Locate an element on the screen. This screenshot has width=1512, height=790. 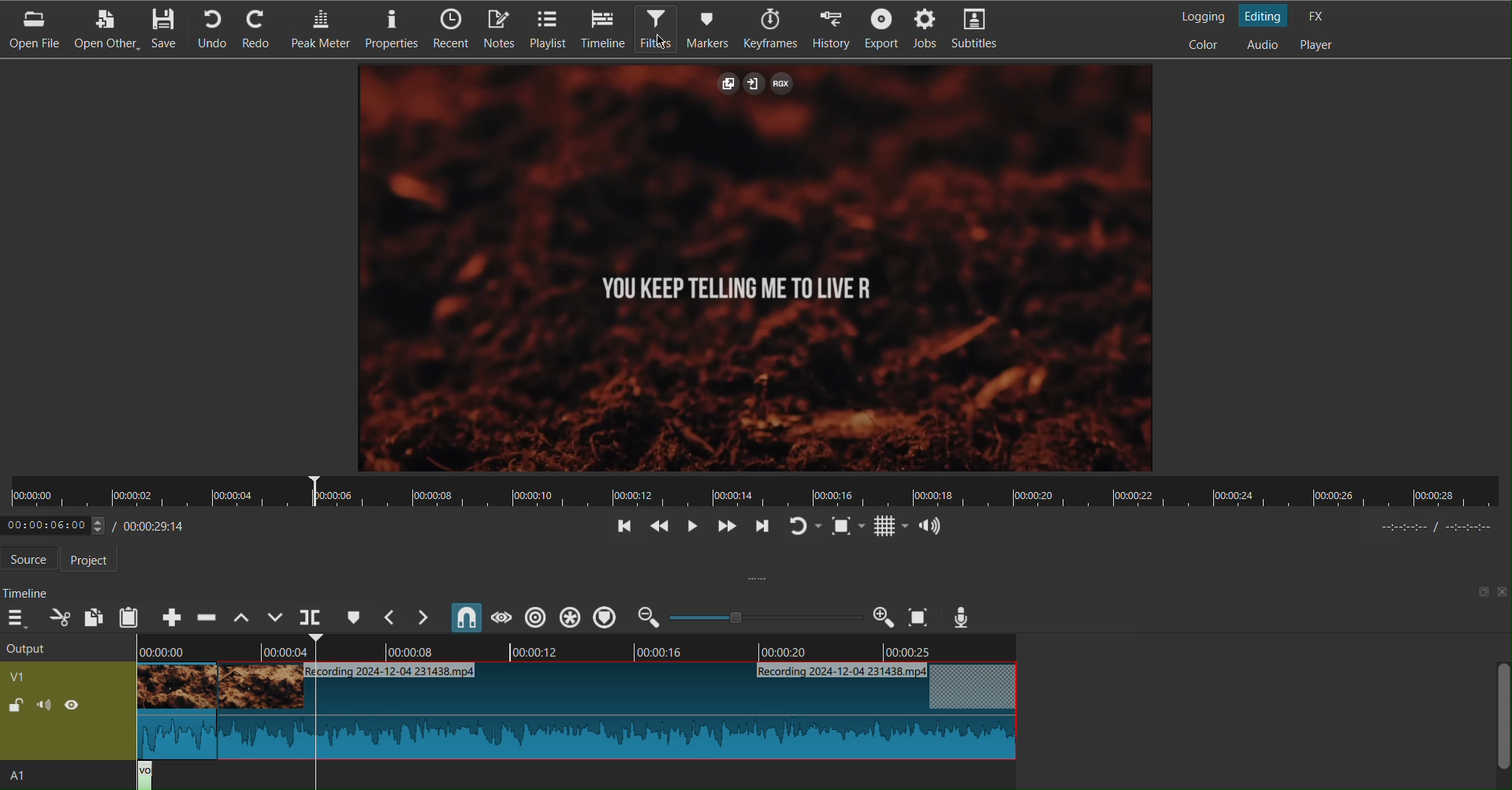
Timestamp is located at coordinates (103, 524).